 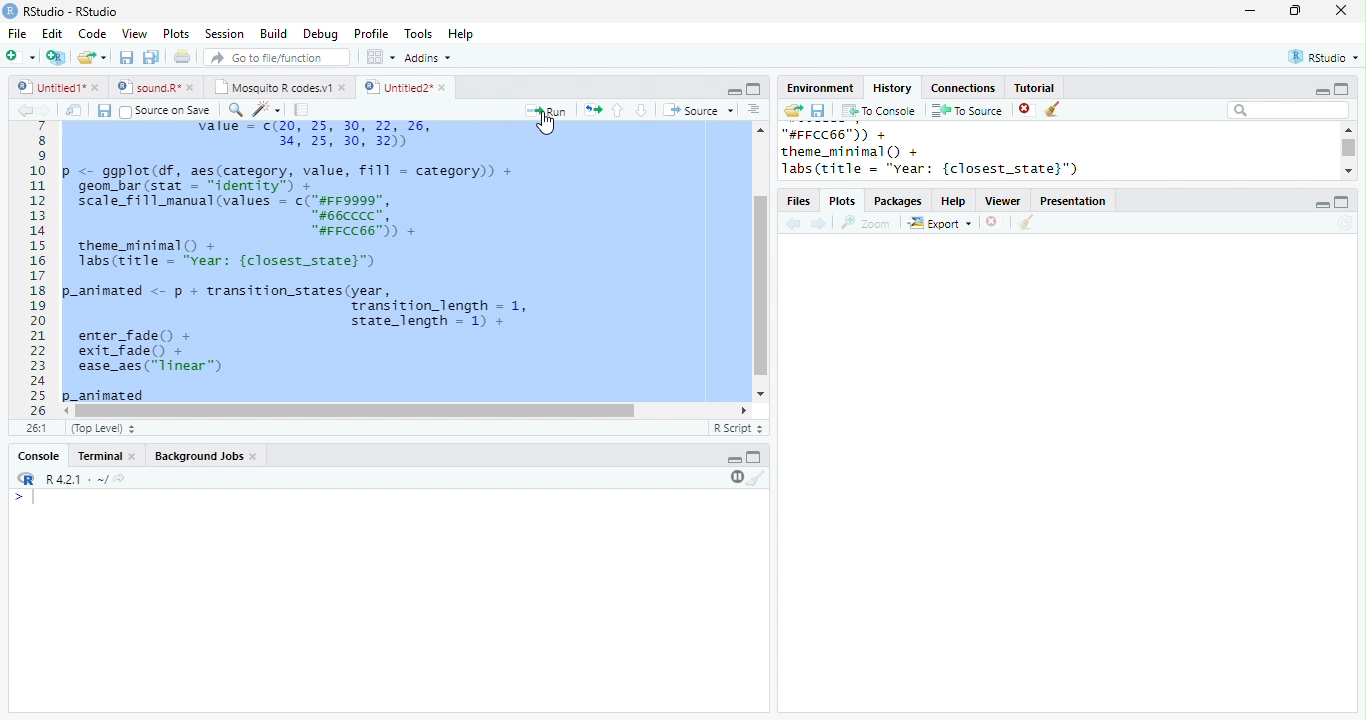 What do you see at coordinates (98, 456) in the screenshot?
I see `Terminal` at bounding box center [98, 456].